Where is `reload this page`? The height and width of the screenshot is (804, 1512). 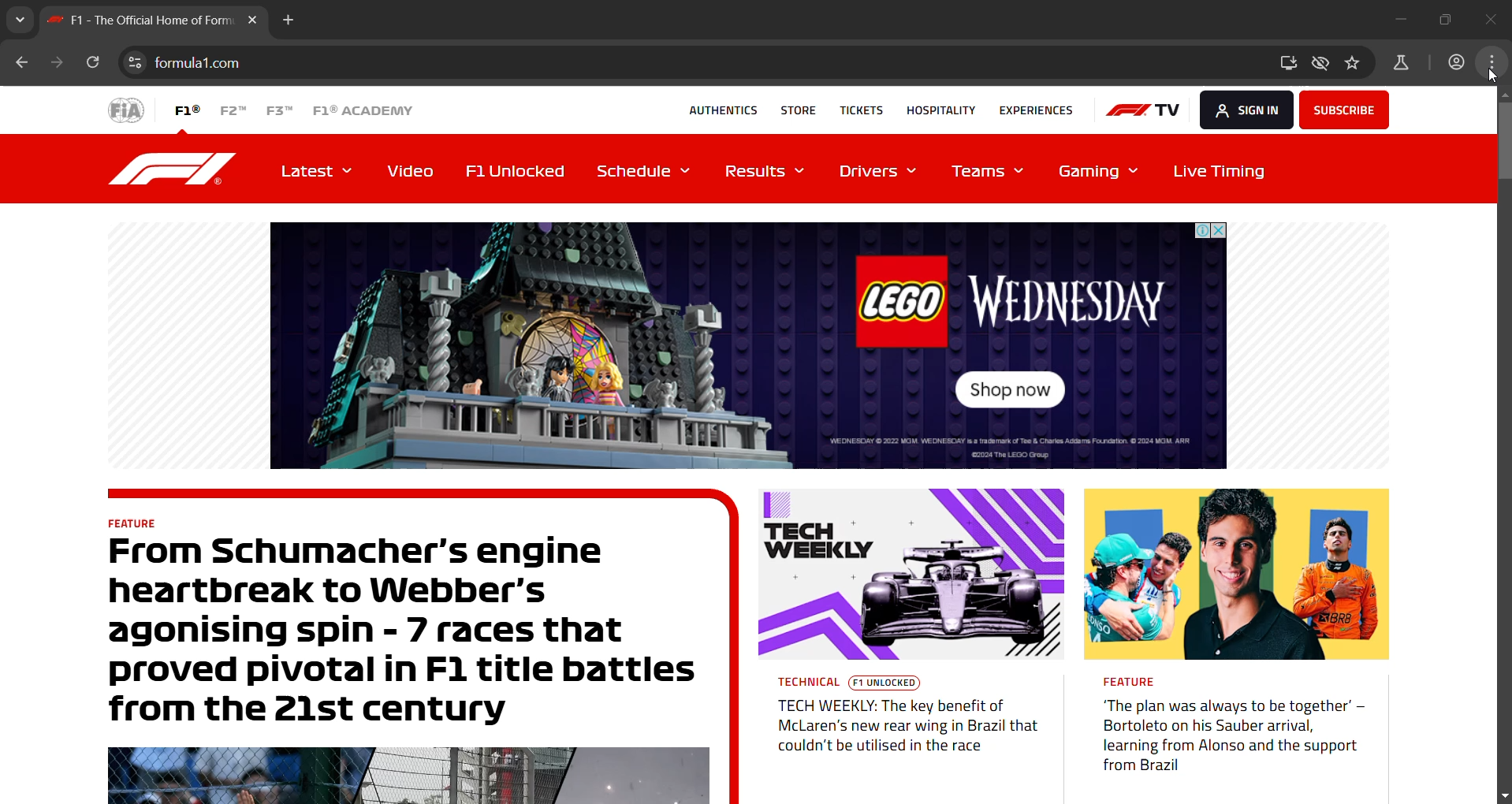 reload this page is located at coordinates (91, 65).